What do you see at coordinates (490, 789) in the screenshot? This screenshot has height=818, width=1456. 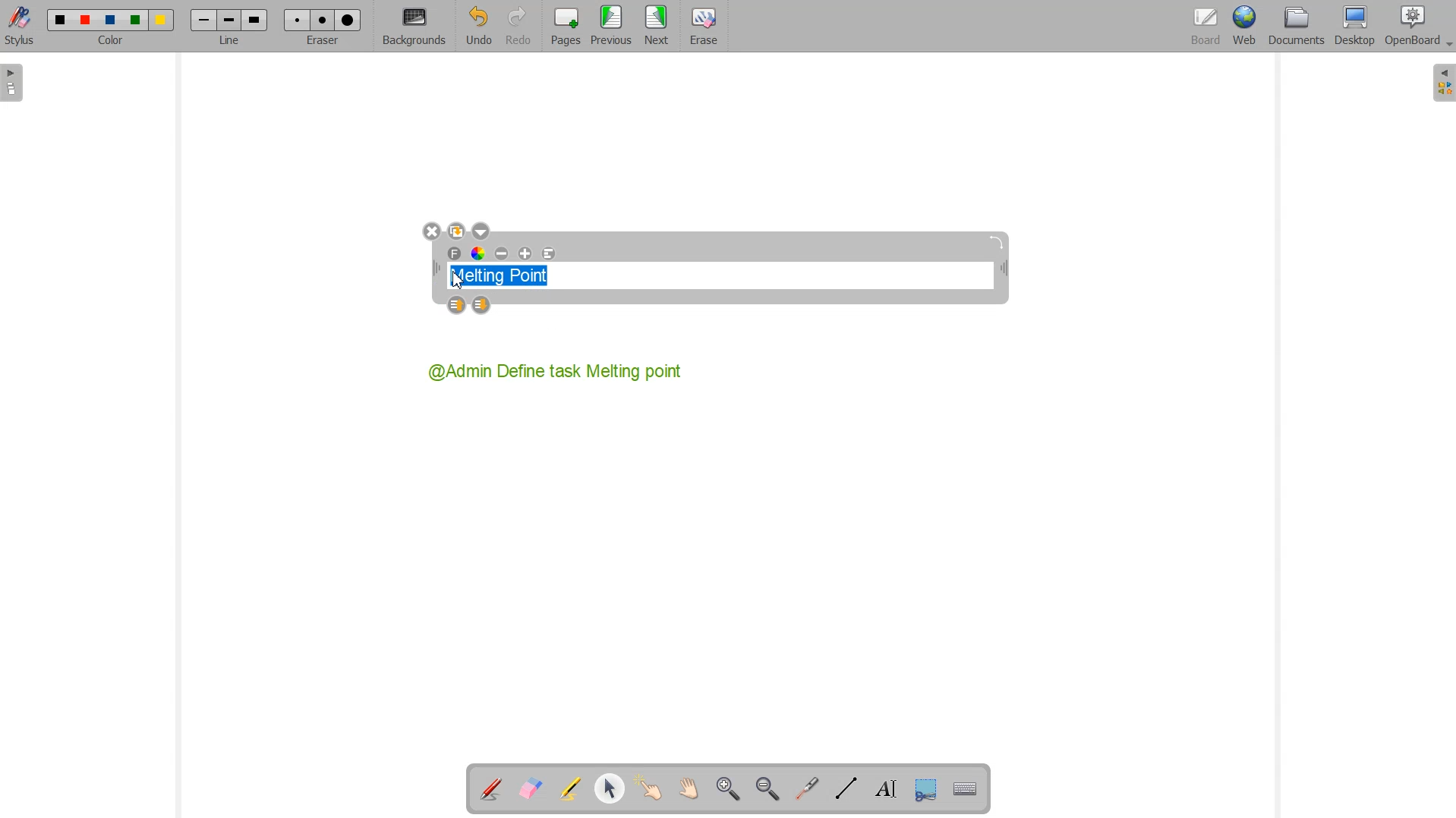 I see `Annotate Document` at bounding box center [490, 789].